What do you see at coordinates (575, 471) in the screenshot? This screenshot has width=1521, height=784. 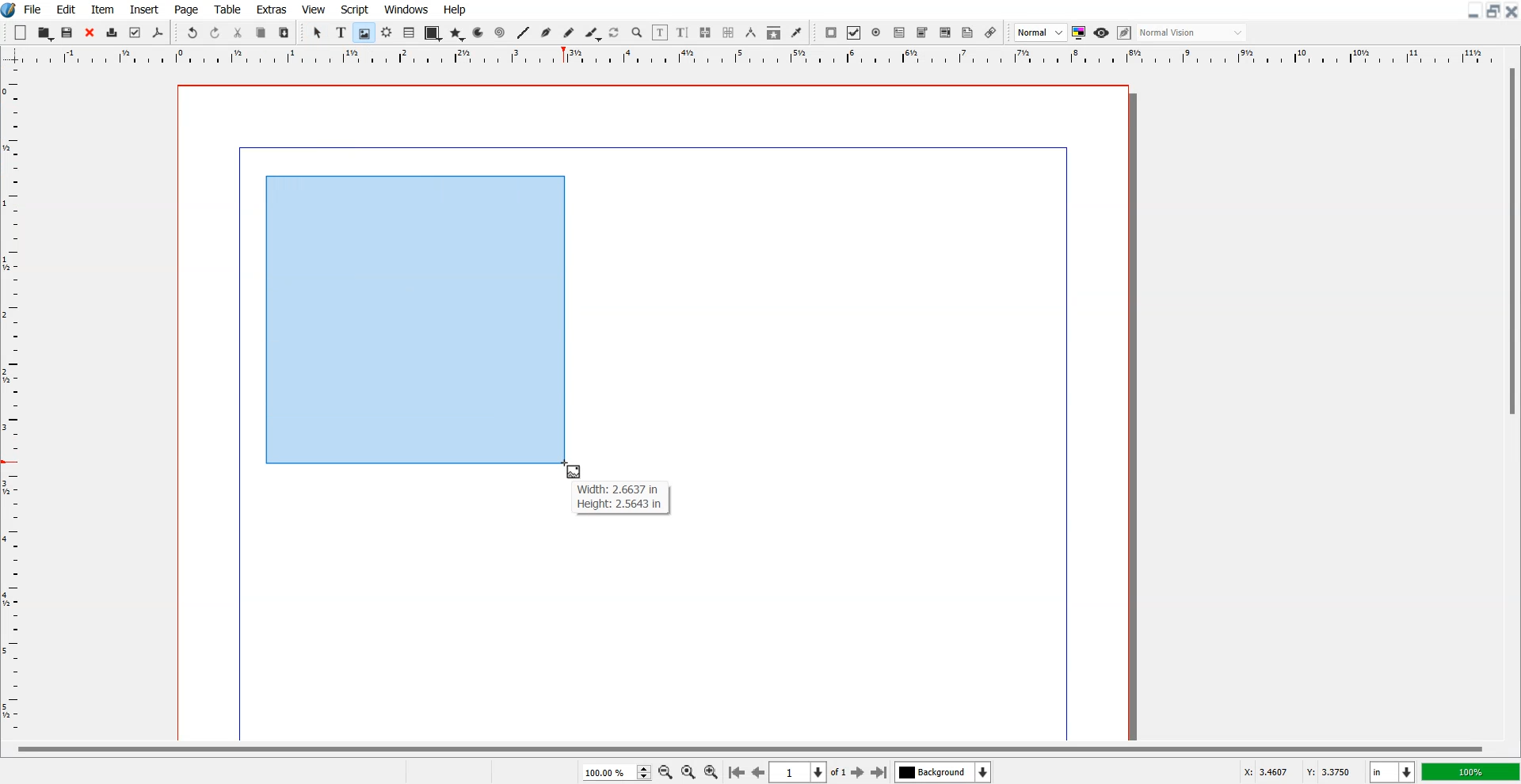 I see `Image frame Curser` at bounding box center [575, 471].